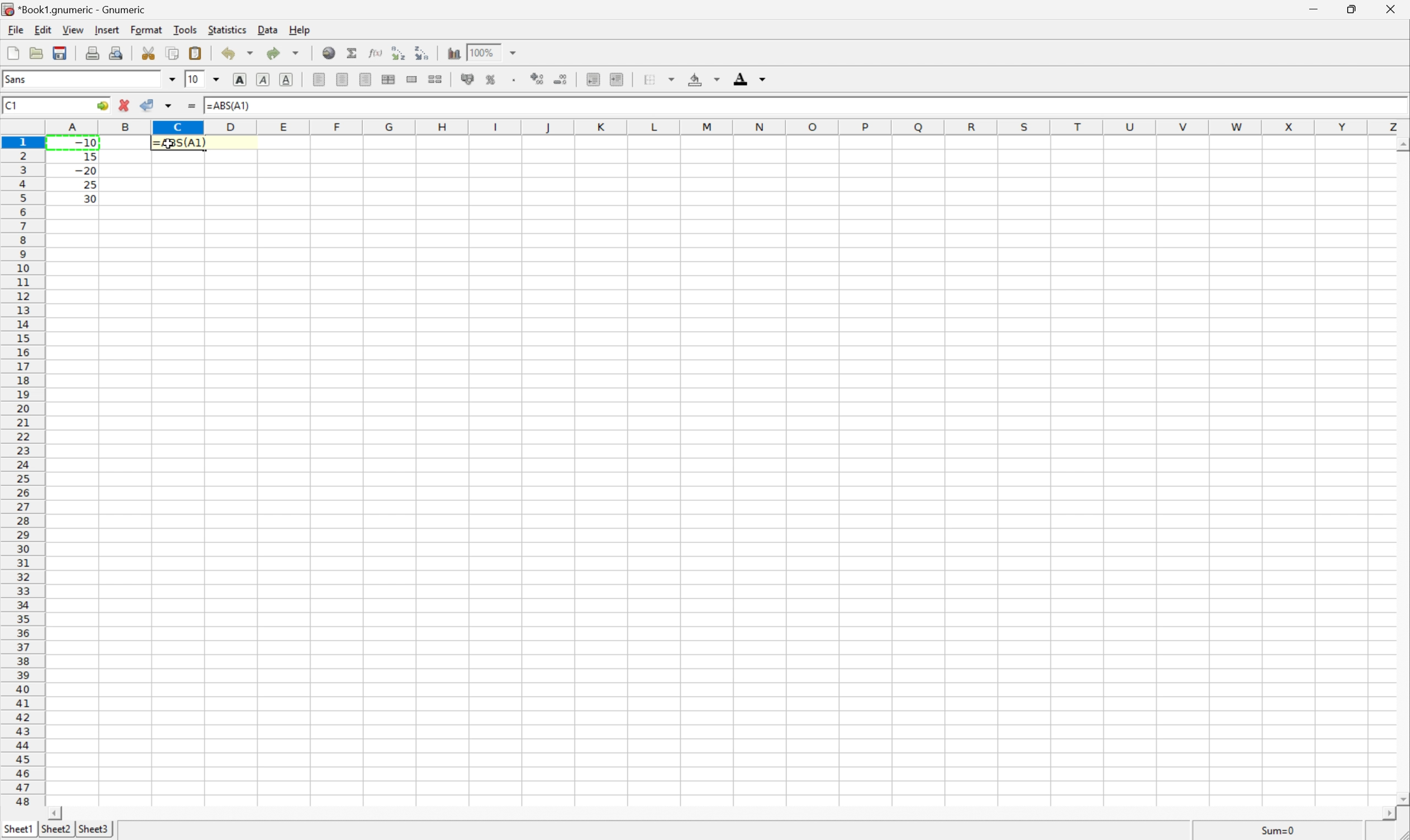 The height and width of the screenshot is (840, 1410). What do you see at coordinates (13, 54) in the screenshot?
I see `File` at bounding box center [13, 54].